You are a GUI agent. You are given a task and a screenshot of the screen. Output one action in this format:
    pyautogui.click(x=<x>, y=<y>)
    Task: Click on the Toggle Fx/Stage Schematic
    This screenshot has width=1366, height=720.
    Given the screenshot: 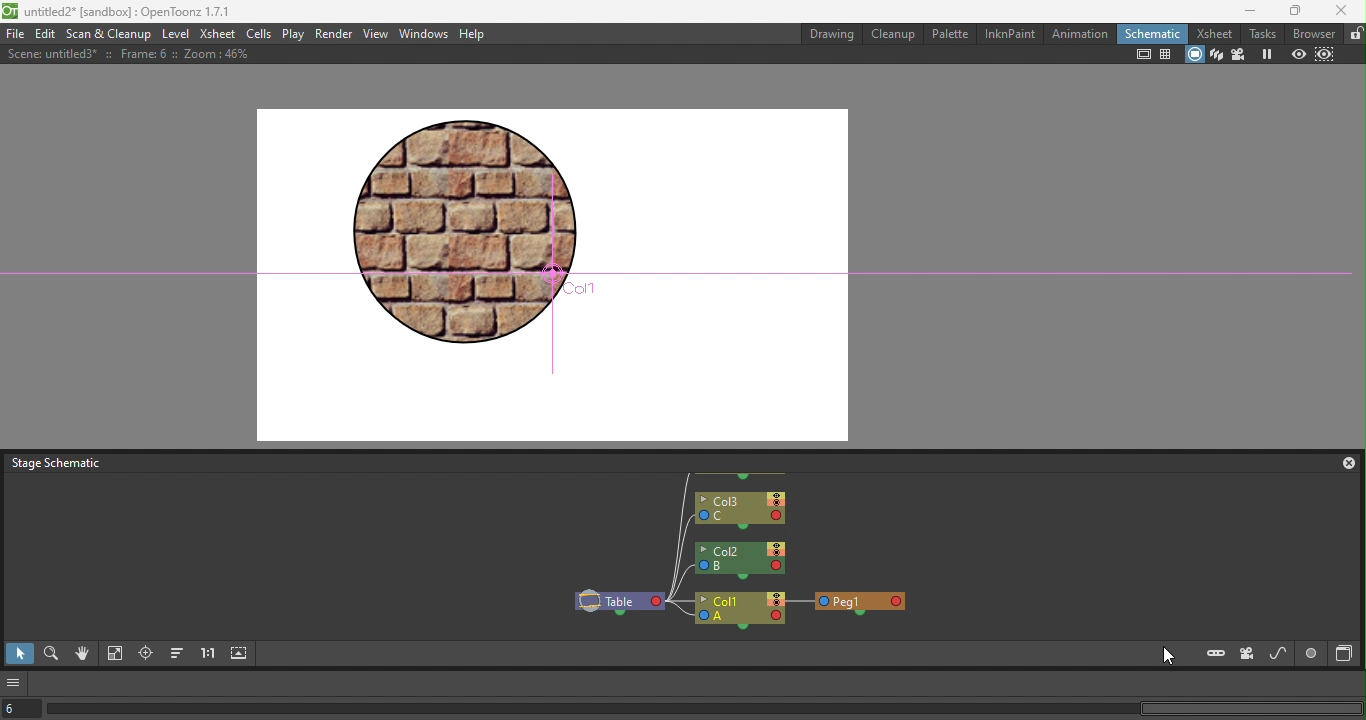 What is the action you would take?
    pyautogui.click(x=1347, y=654)
    